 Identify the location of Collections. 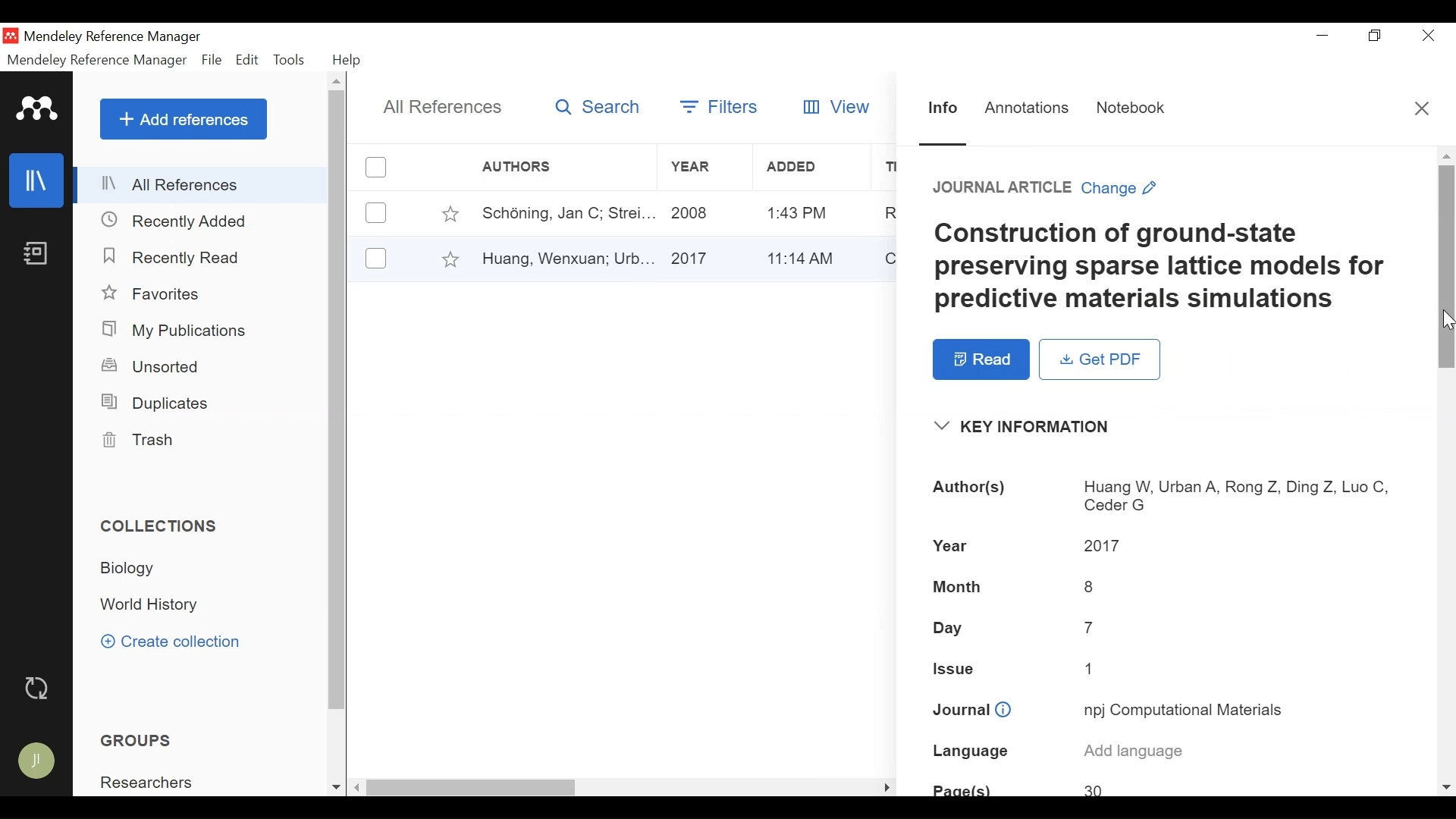
(161, 526).